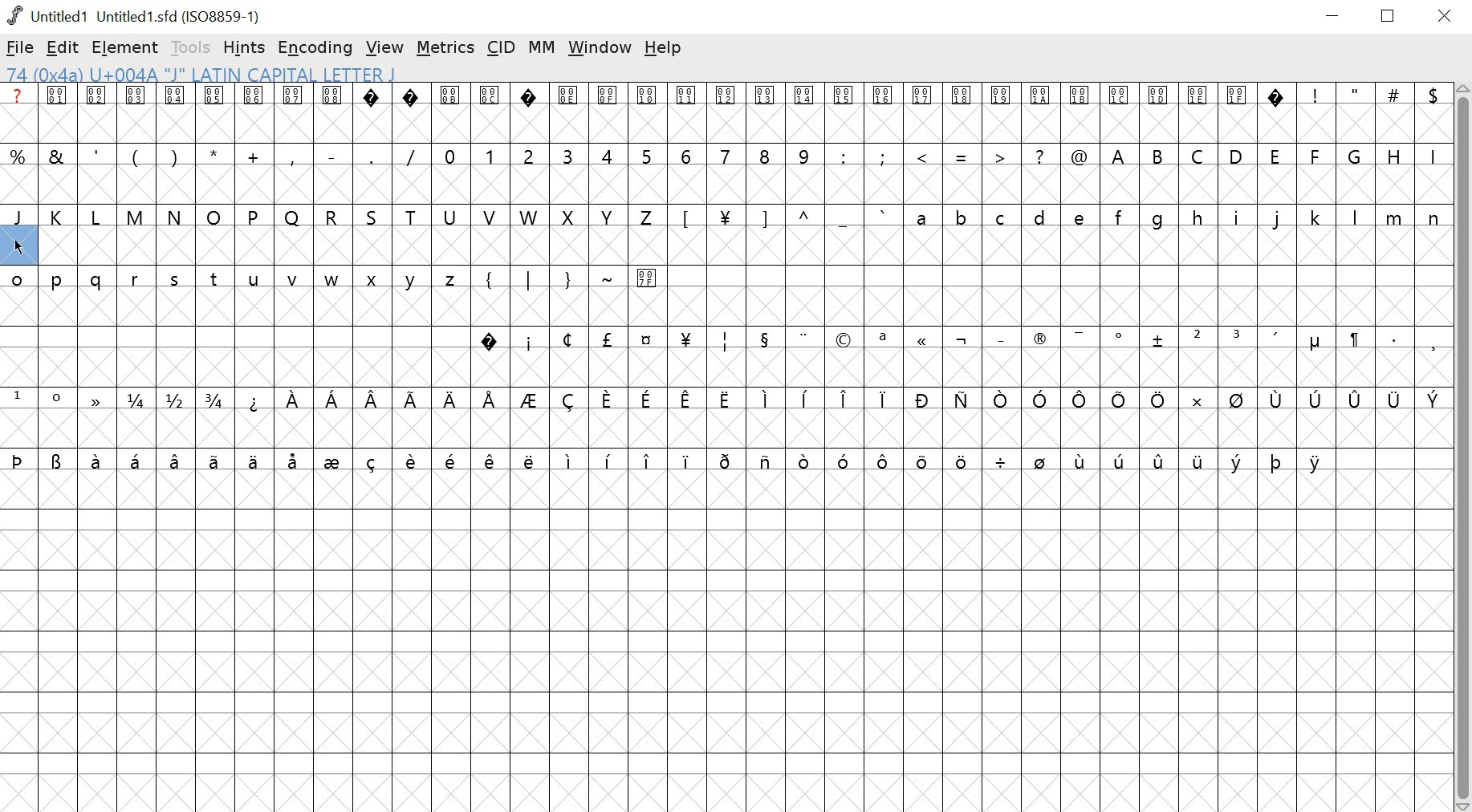  Describe the element at coordinates (445, 49) in the screenshot. I see `METRICS` at that location.